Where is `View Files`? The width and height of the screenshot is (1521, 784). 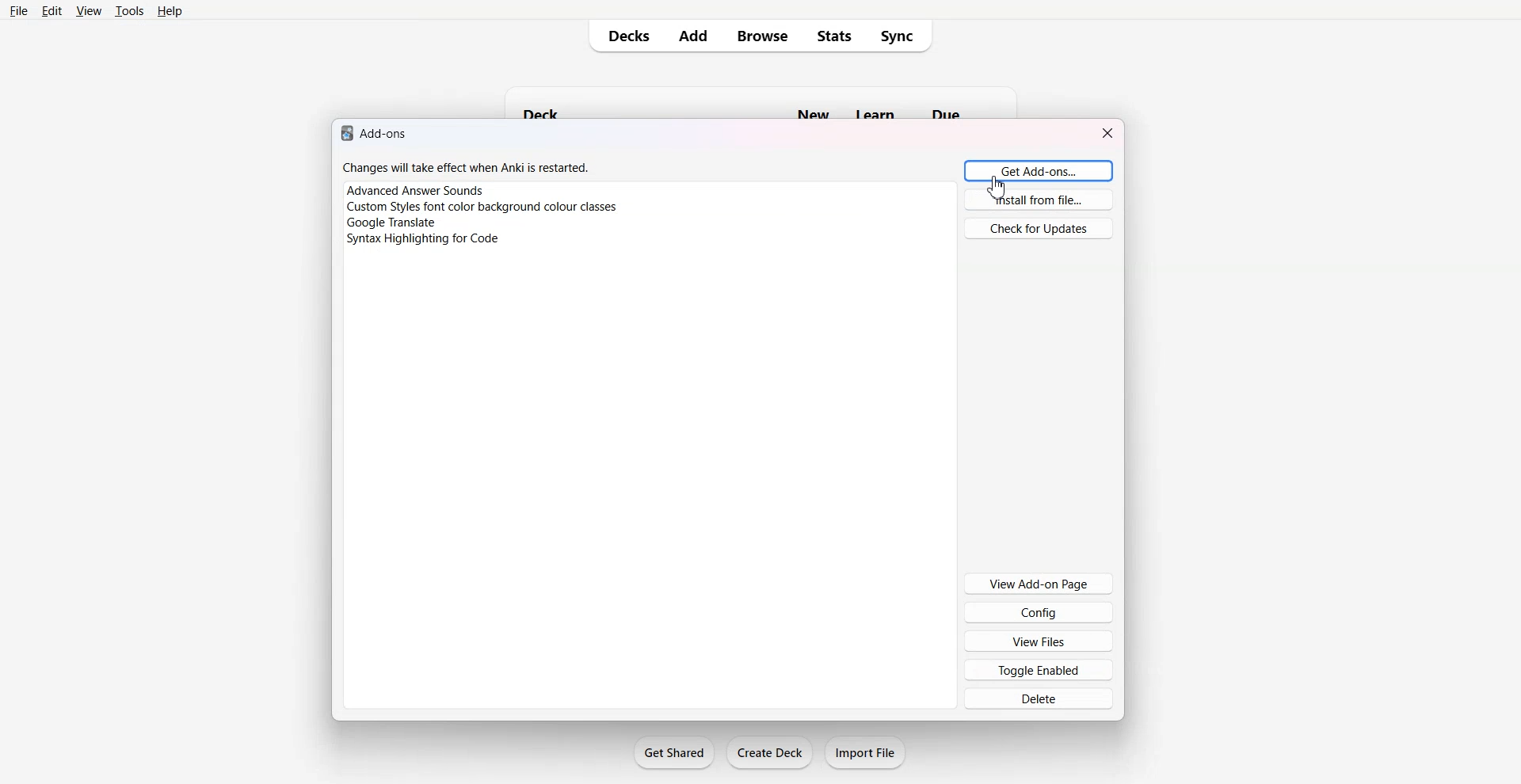 View Files is located at coordinates (1039, 640).